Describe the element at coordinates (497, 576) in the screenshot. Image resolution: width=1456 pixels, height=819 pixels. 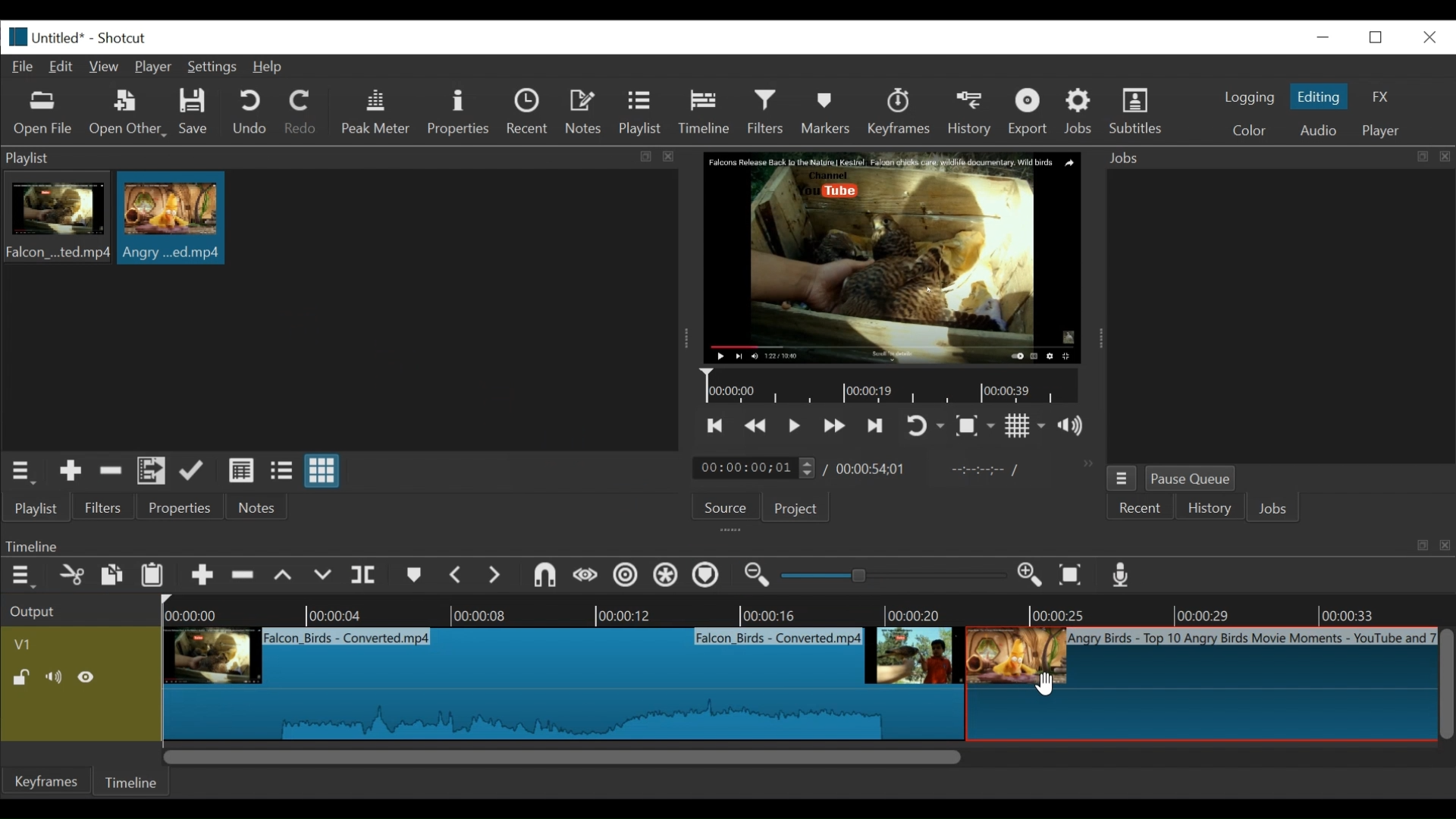
I see `next marker` at that location.